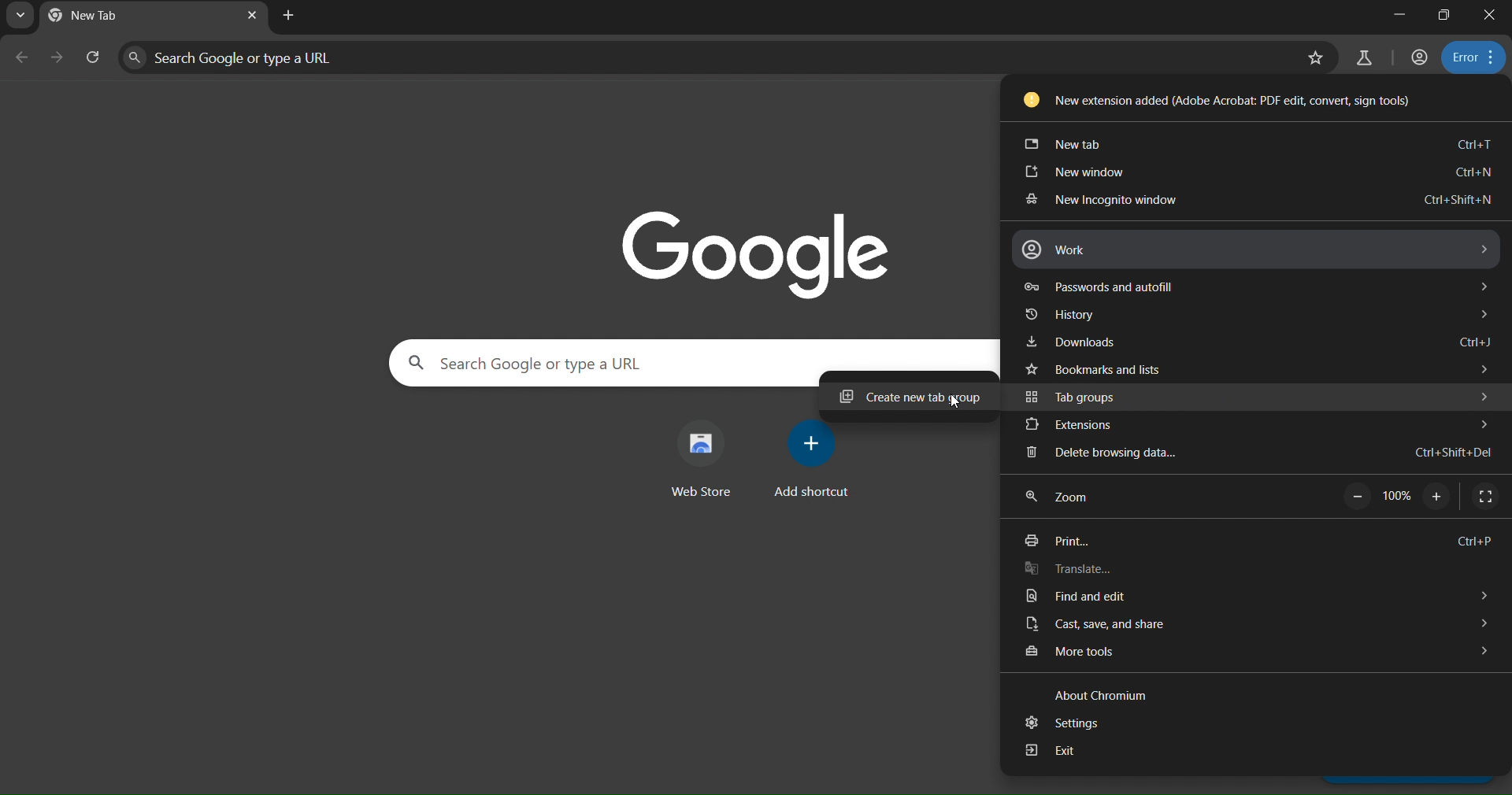  I want to click on bookmark this page, so click(1315, 57).